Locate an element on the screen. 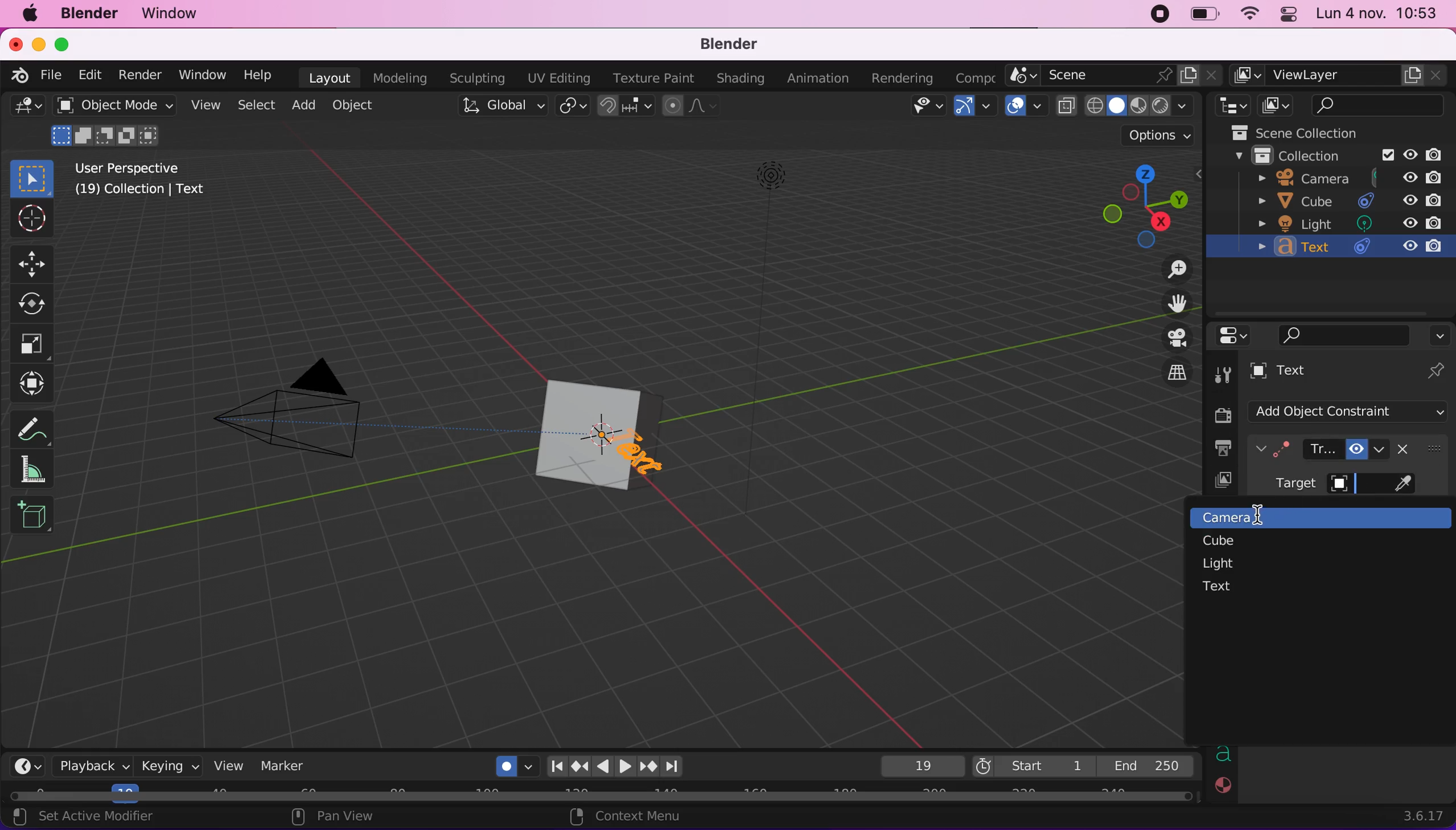 The image size is (1456, 830). material is located at coordinates (1223, 788).